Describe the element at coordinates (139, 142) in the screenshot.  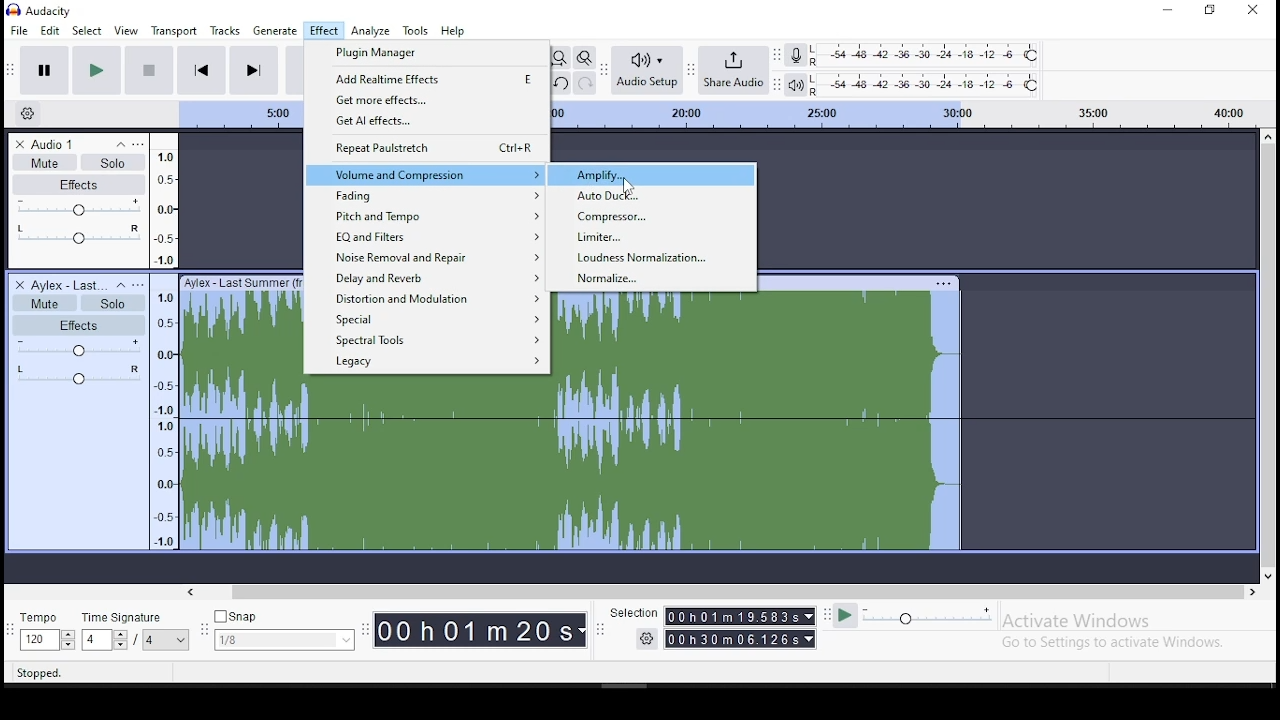
I see `open menu` at that location.